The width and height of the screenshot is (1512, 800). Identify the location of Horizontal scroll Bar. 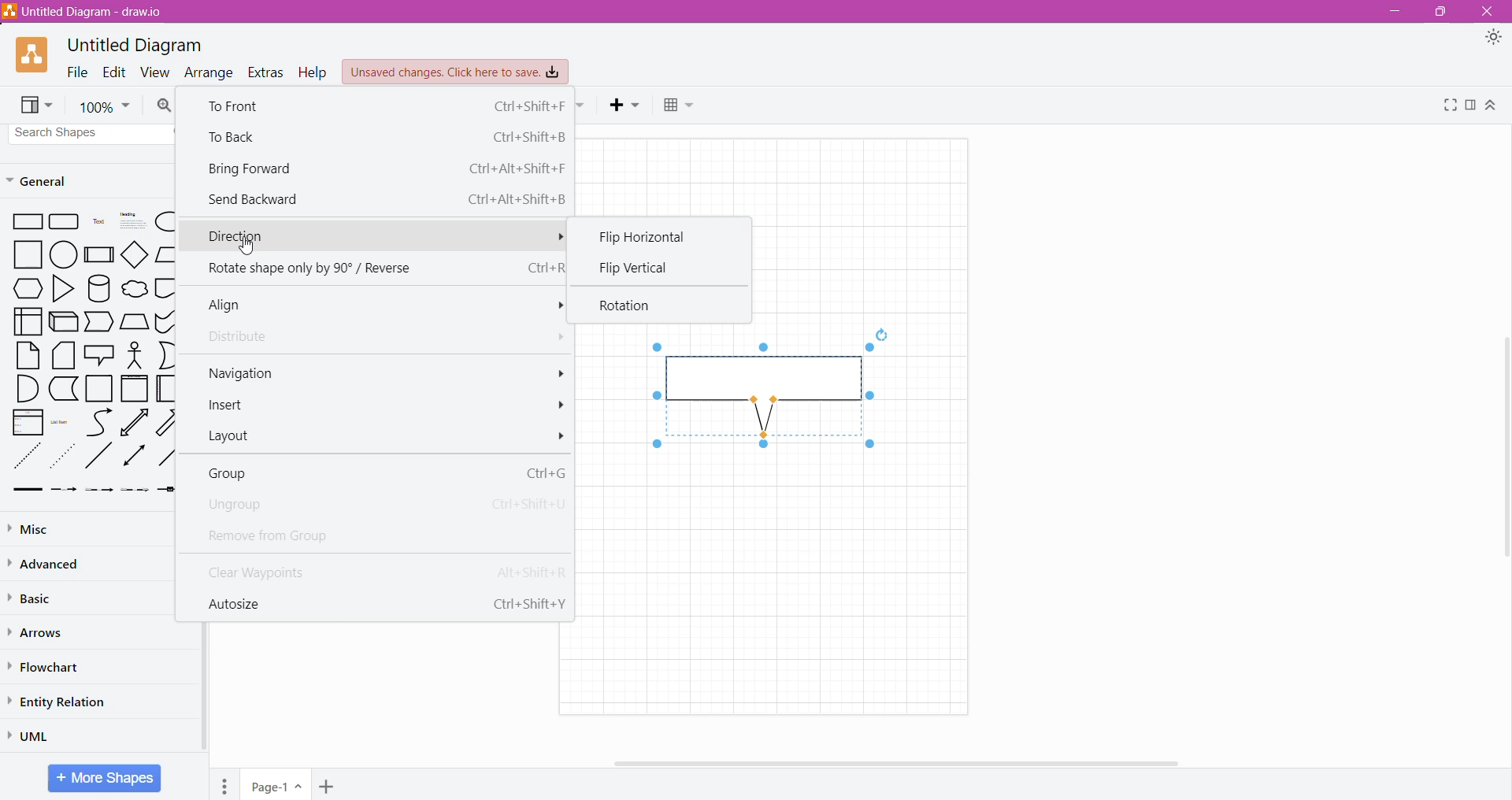
(913, 763).